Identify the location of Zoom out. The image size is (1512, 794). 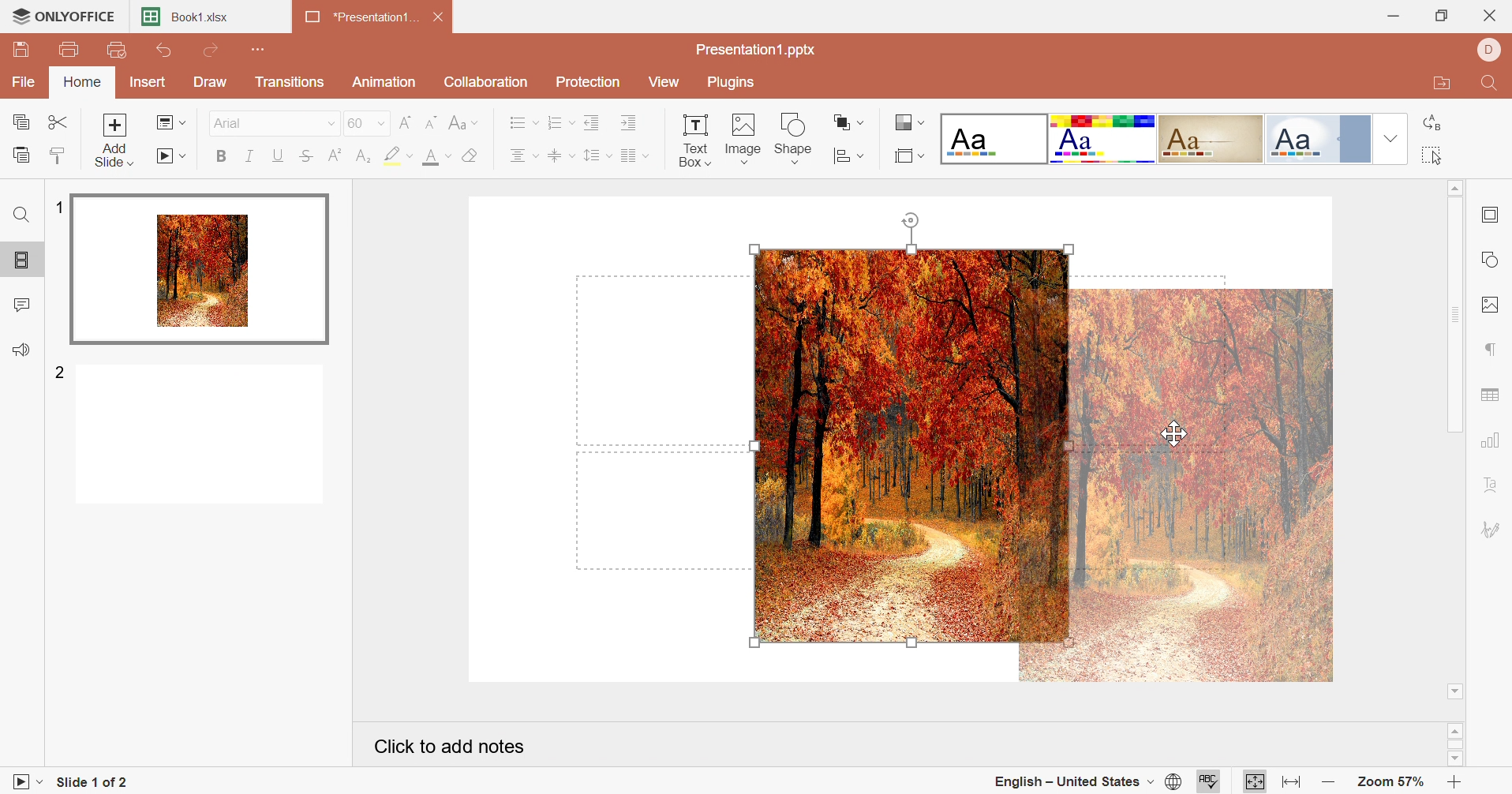
(1327, 783).